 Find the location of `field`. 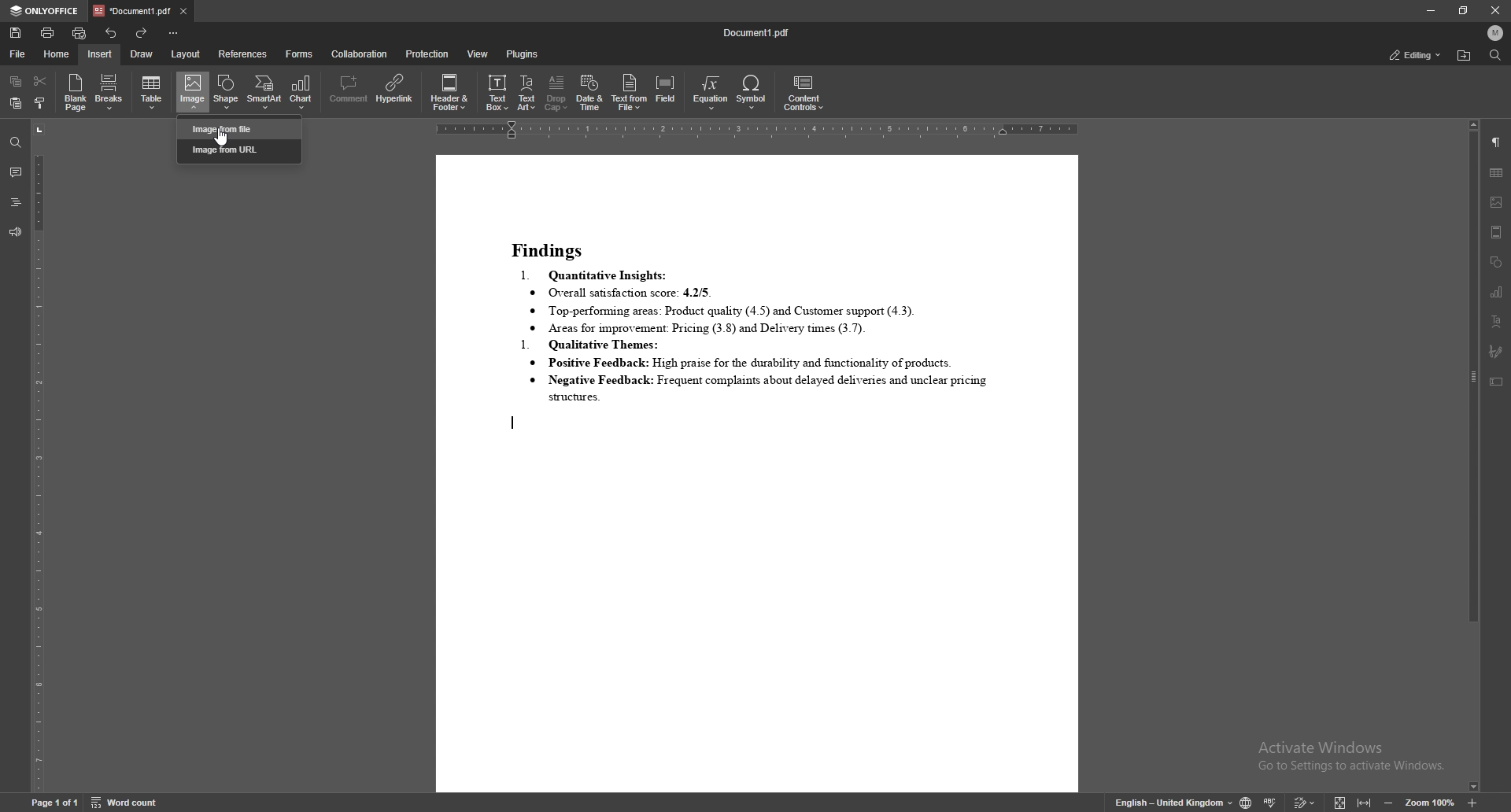

field is located at coordinates (667, 92).